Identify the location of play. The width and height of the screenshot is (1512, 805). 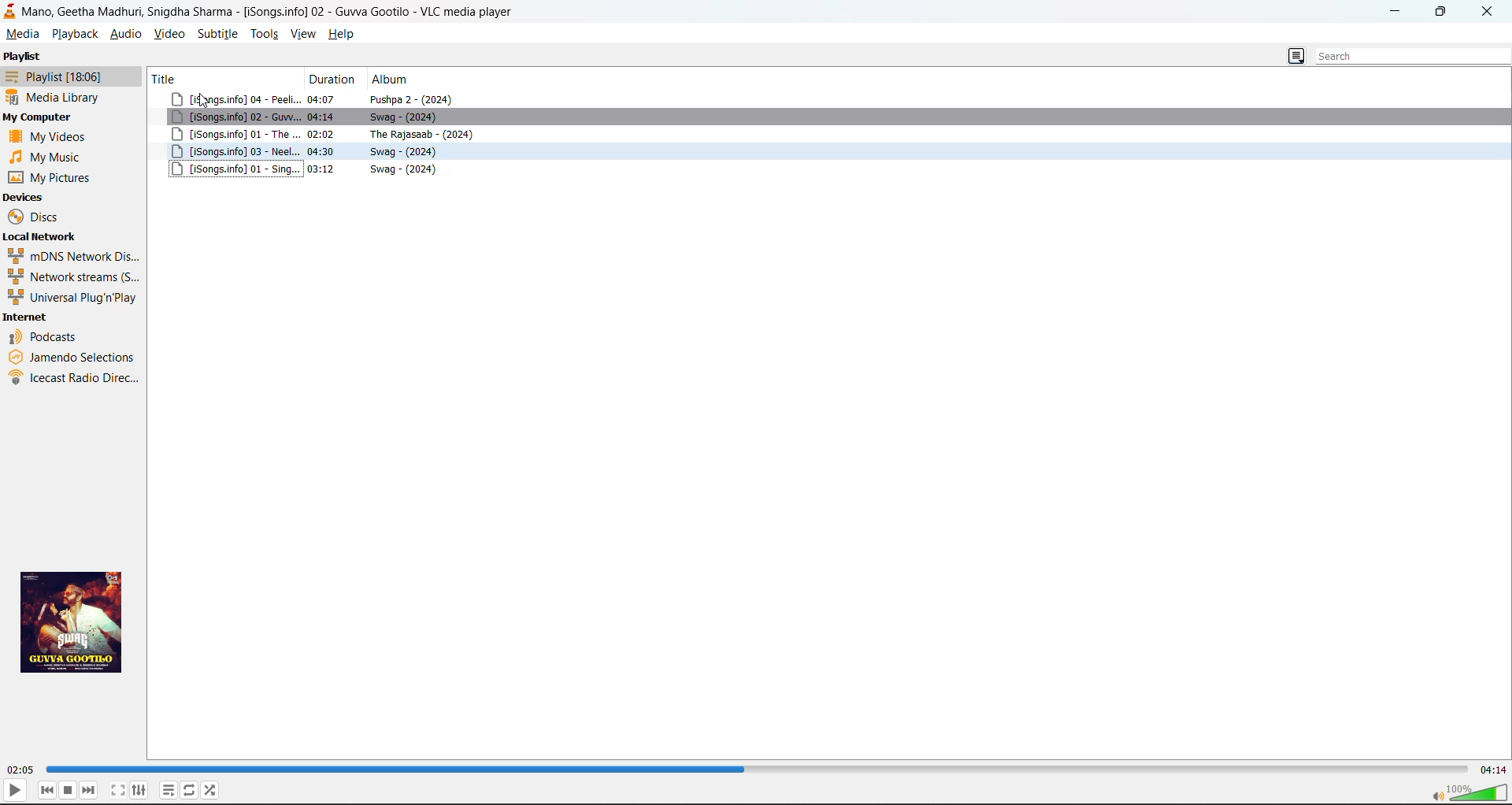
(15, 789).